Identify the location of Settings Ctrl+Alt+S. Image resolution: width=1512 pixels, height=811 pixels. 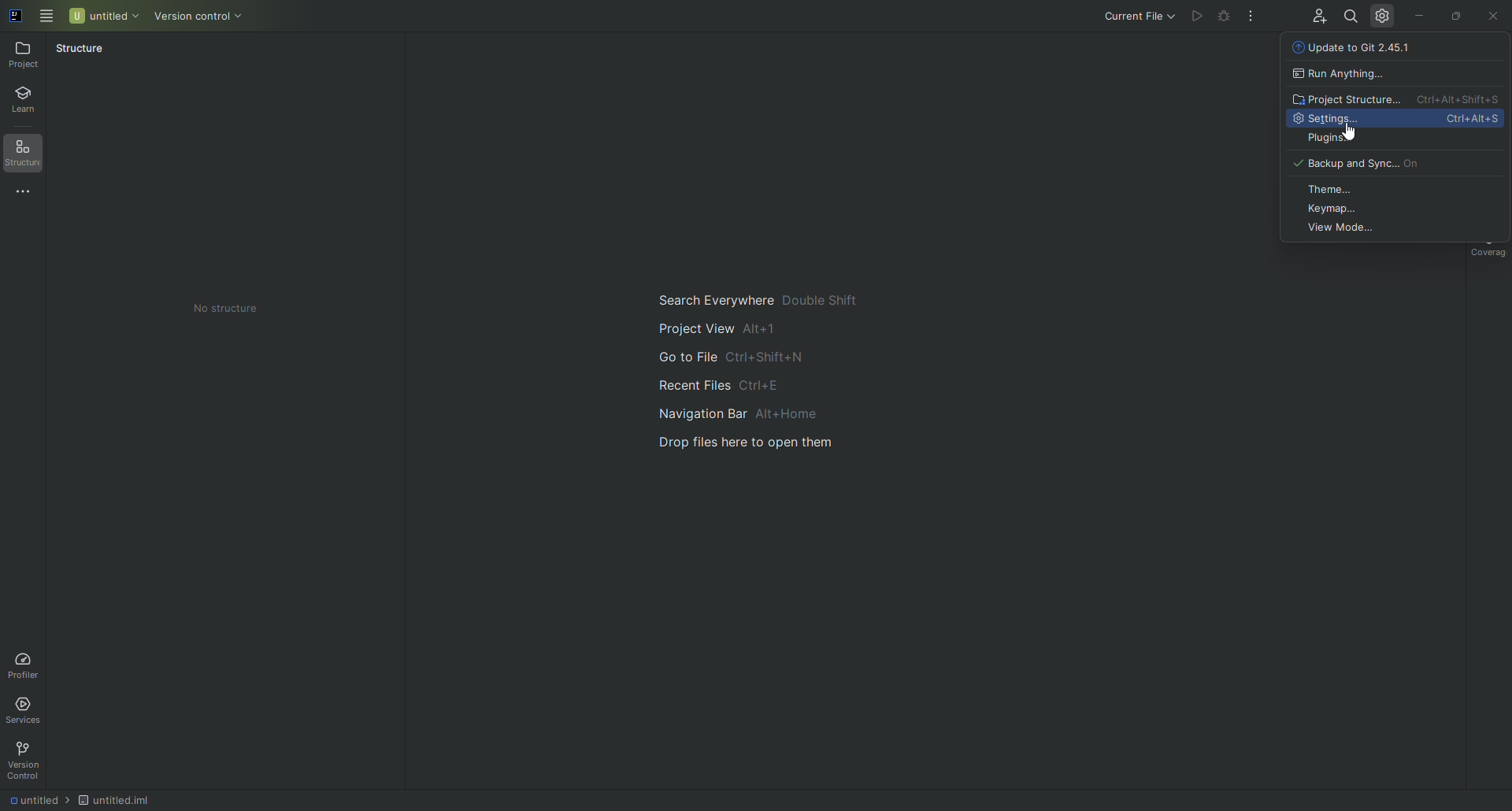
(1389, 120).